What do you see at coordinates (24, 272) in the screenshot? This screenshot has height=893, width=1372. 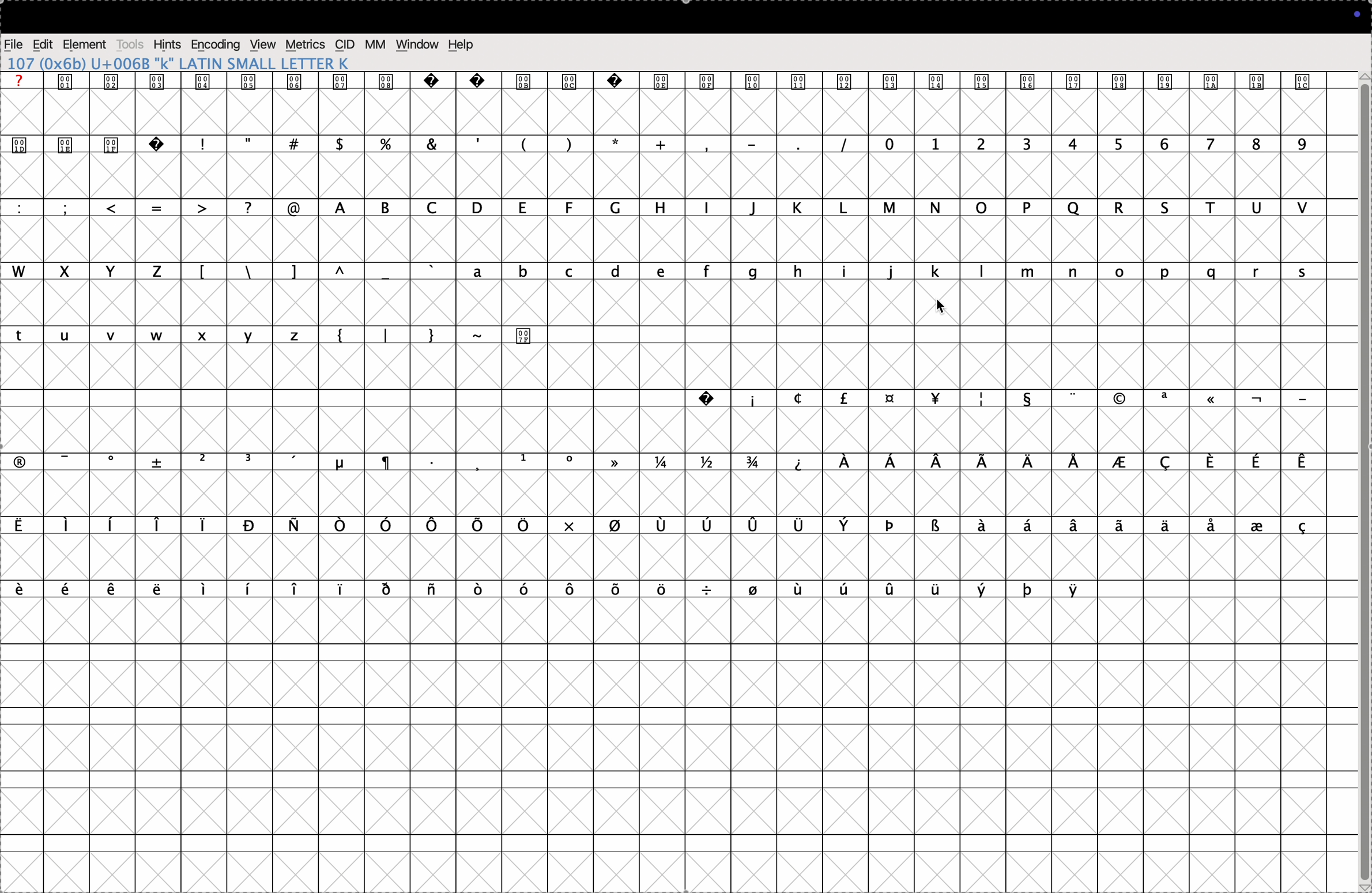 I see `w` at bounding box center [24, 272].